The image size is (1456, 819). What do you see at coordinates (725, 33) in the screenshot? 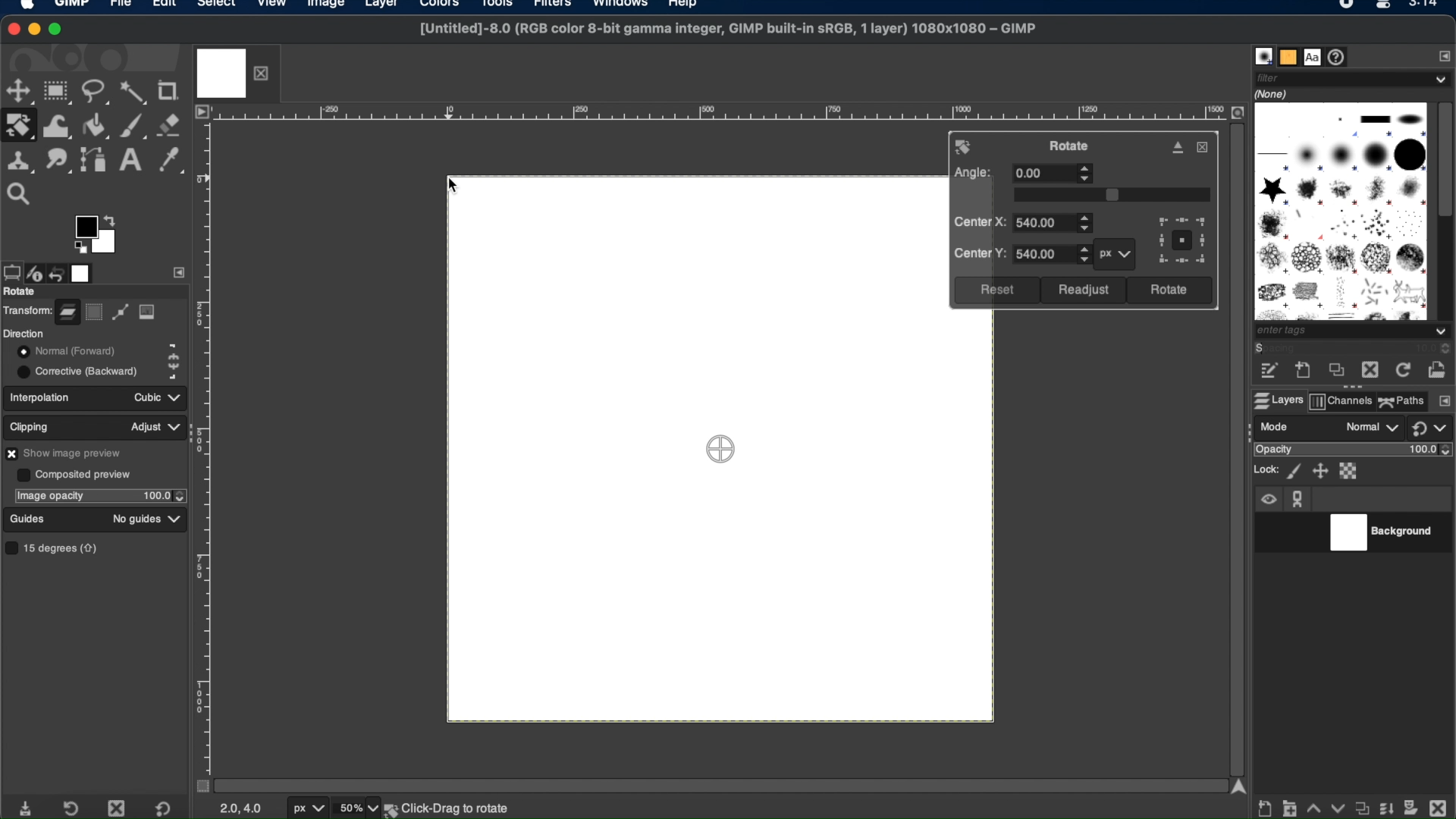
I see `[Untitled]-8.0 (RGB color 8-bit gamma integer, GIMP built-in sRGB, 1 layer) 1080x1080 - GIMP` at bounding box center [725, 33].